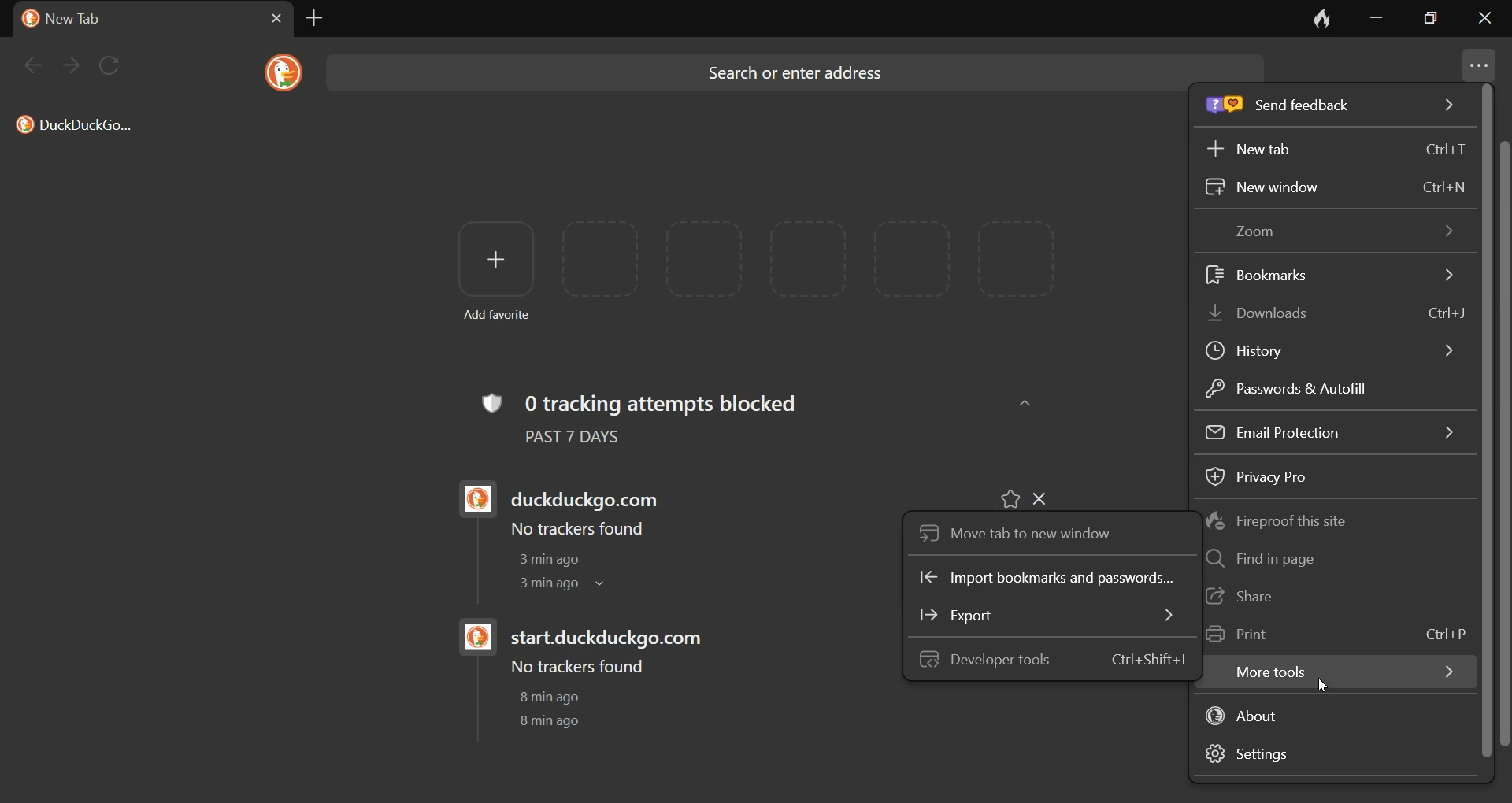 This screenshot has width=1512, height=803. Describe the element at coordinates (37, 70) in the screenshot. I see `back` at that location.